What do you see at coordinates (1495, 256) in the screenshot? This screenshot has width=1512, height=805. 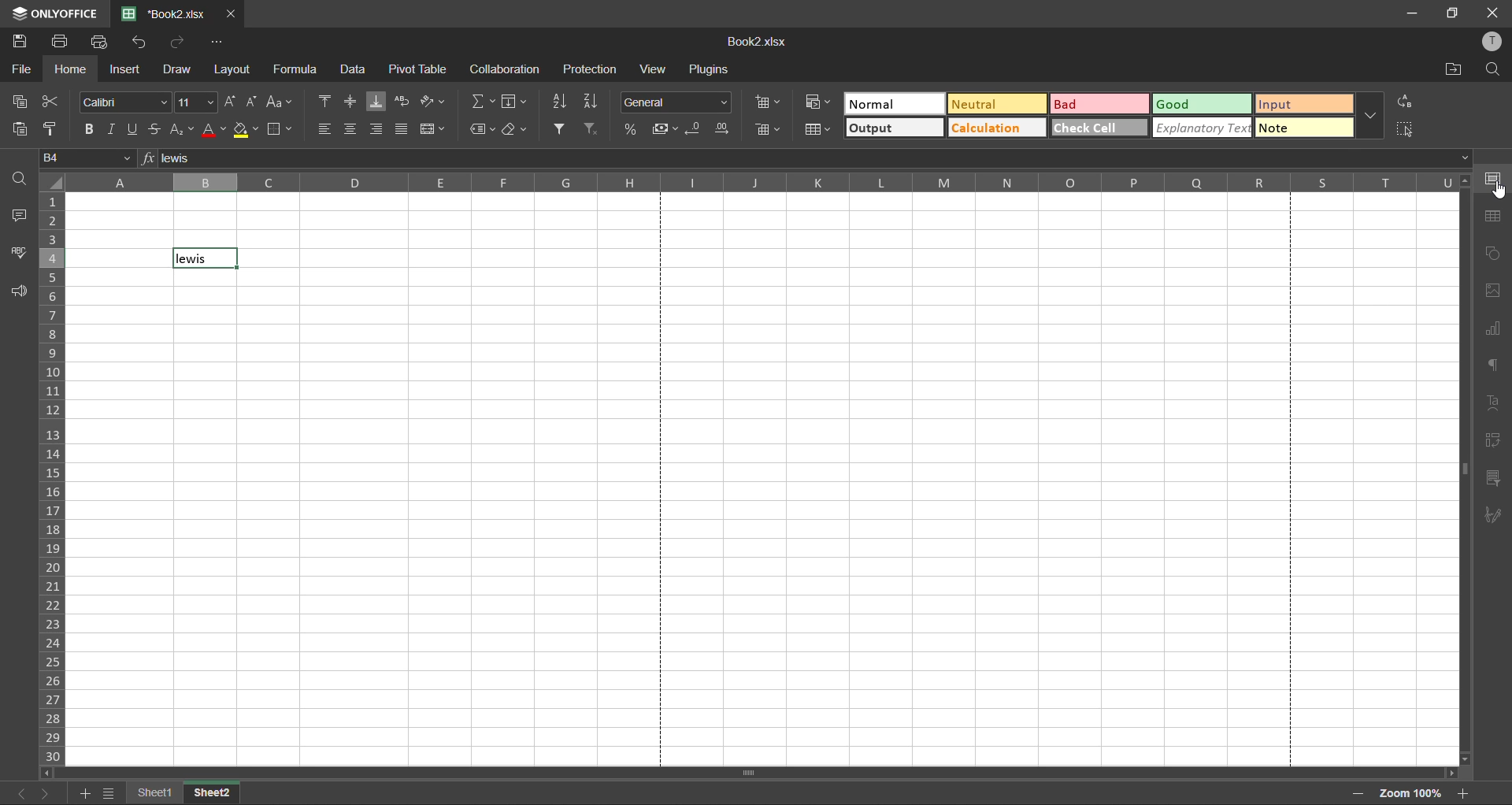 I see `shapes` at bounding box center [1495, 256].